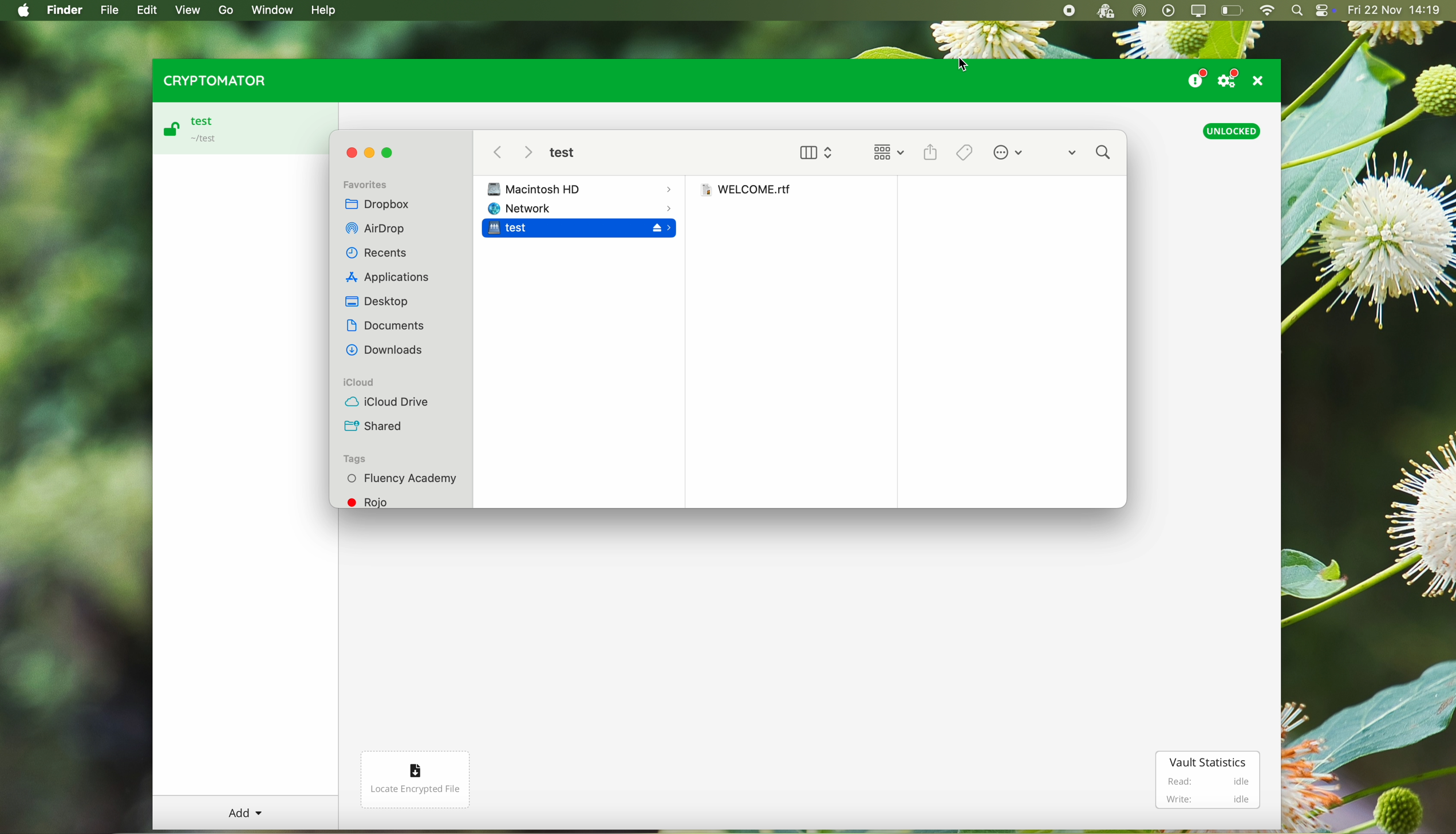 The height and width of the screenshot is (834, 1456). What do you see at coordinates (212, 80) in the screenshot?
I see `cryptomator` at bounding box center [212, 80].